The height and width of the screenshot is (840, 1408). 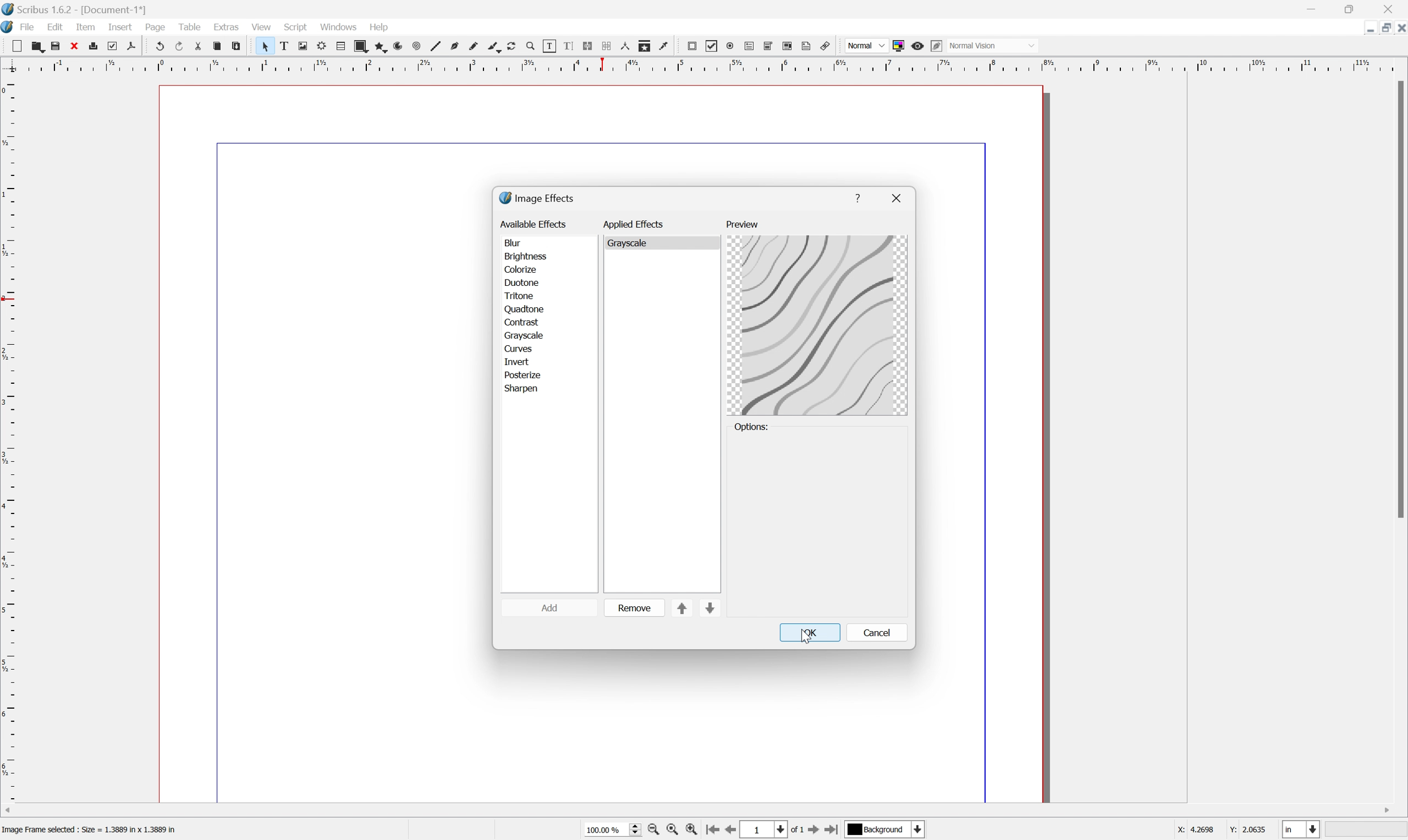 I want to click on Copy, so click(x=220, y=45).